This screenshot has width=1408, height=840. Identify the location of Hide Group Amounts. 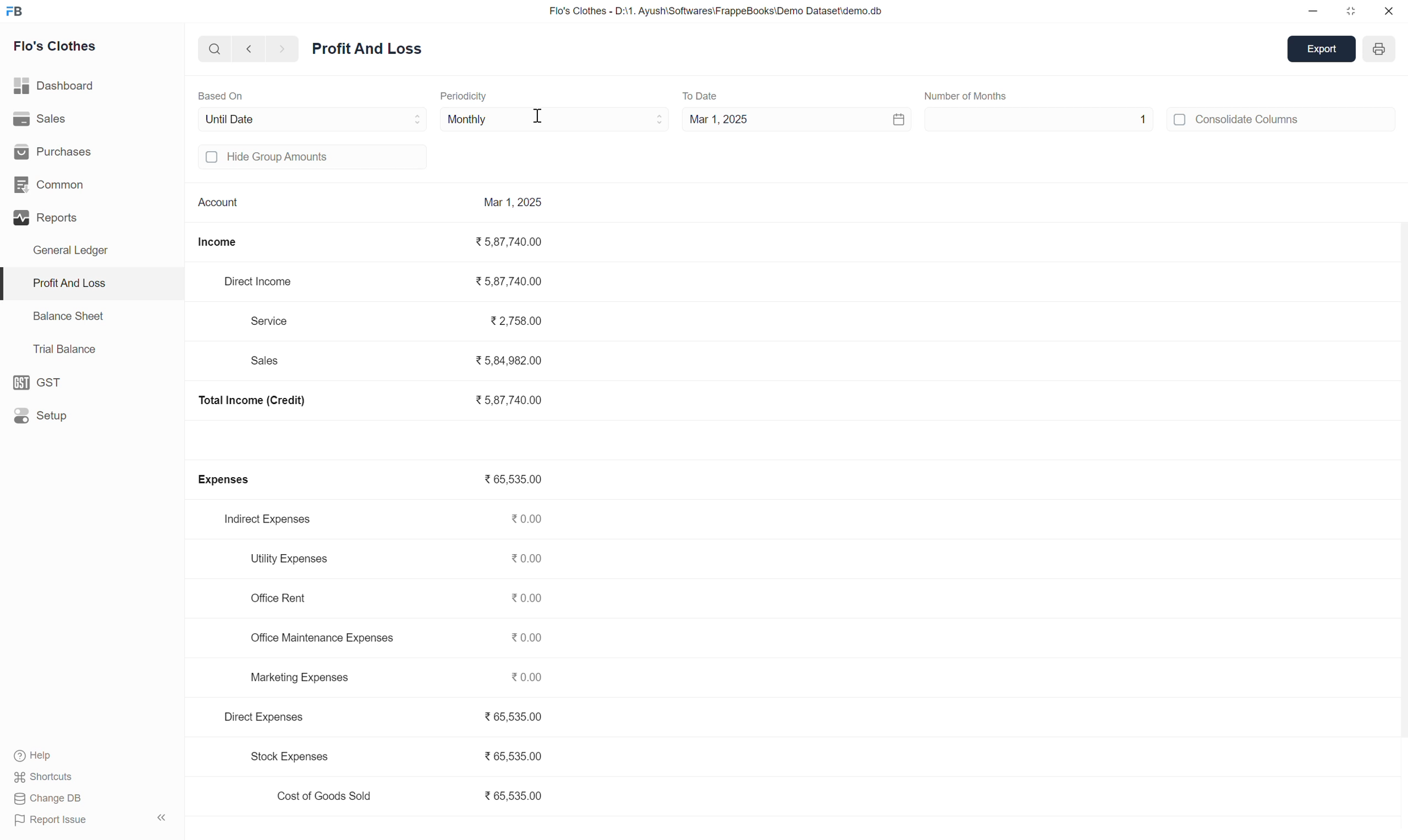
(290, 161).